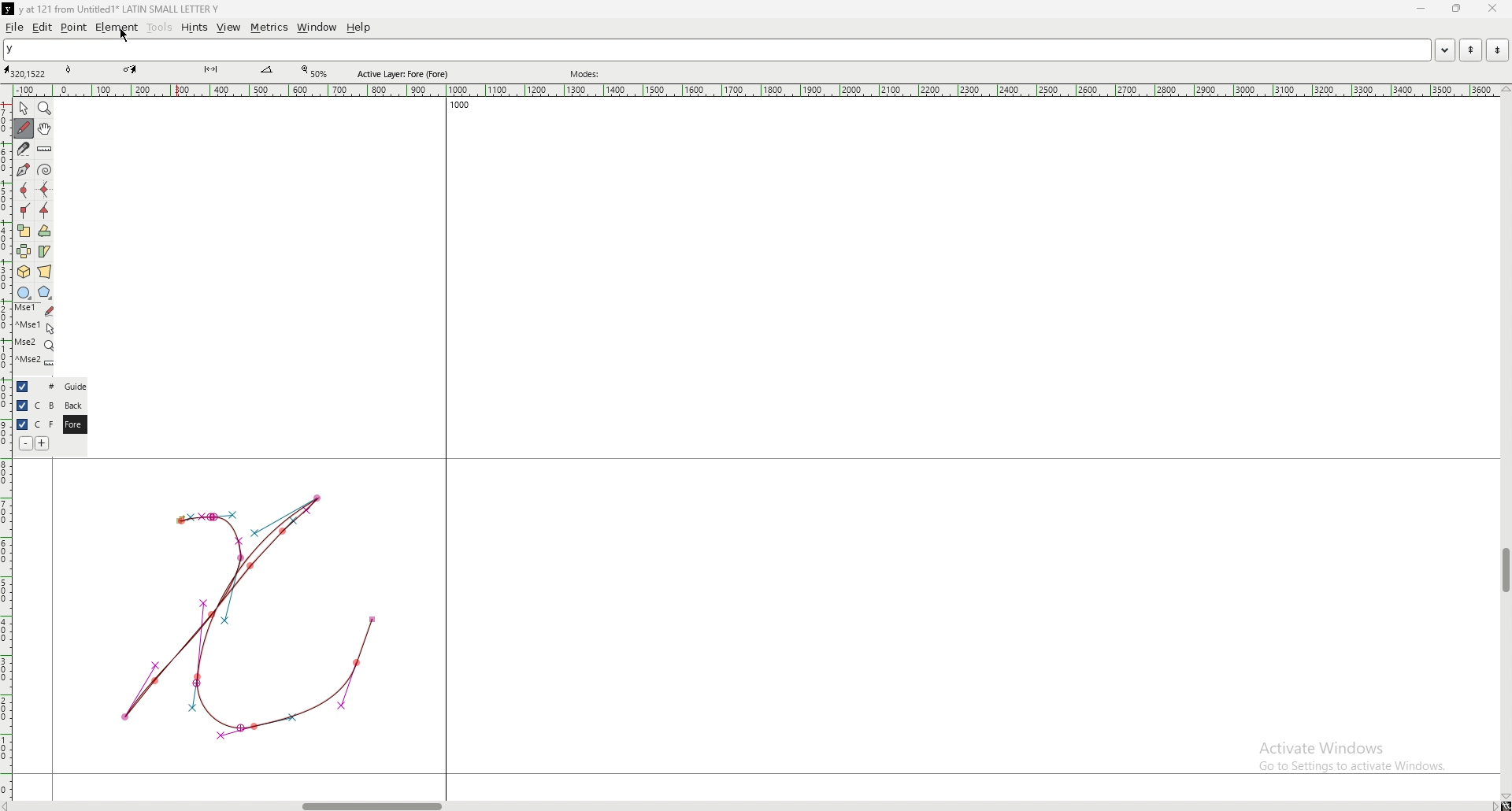 This screenshot has height=811, width=1512. What do you see at coordinates (587, 74) in the screenshot?
I see `modes` at bounding box center [587, 74].